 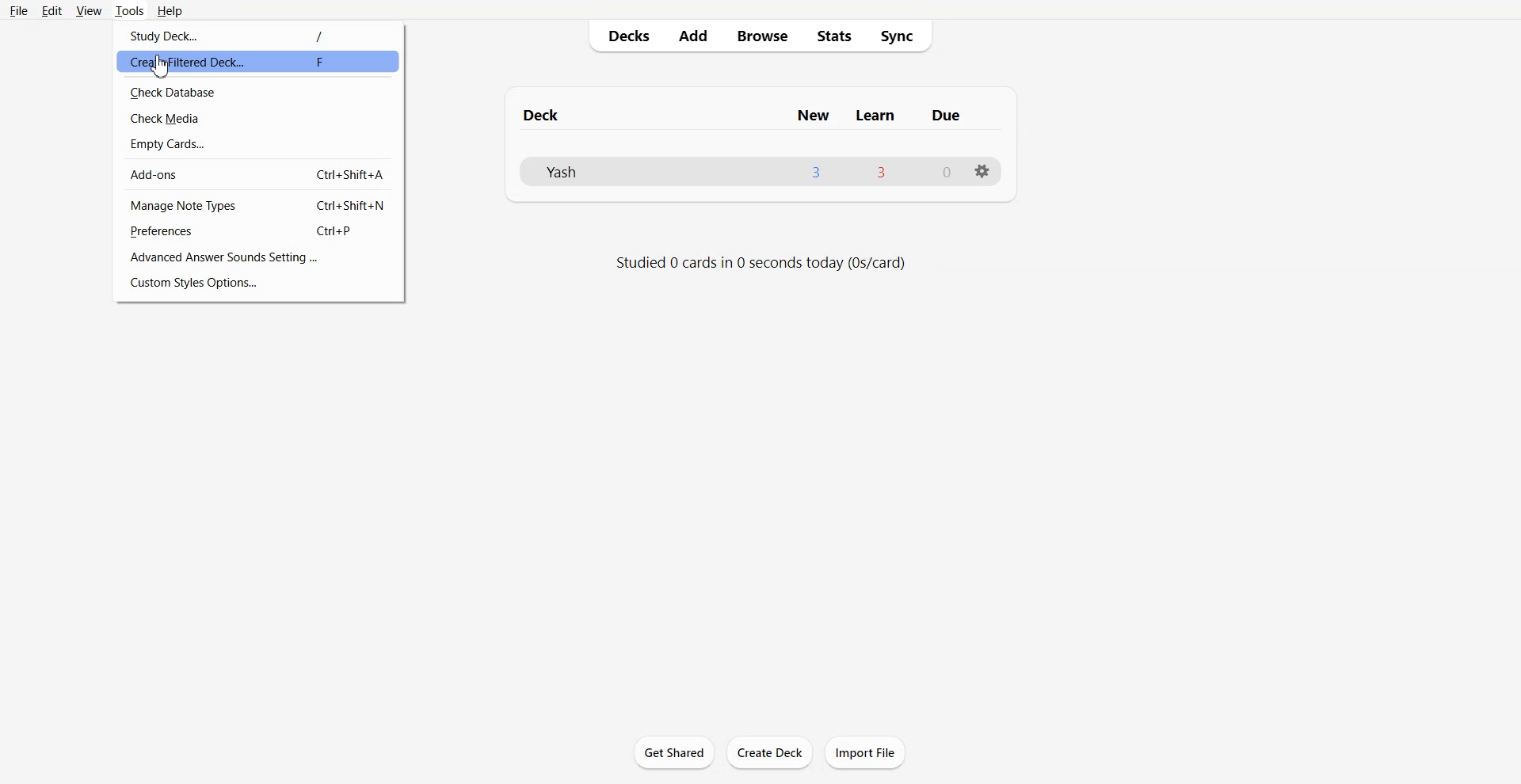 What do you see at coordinates (19, 11) in the screenshot?
I see `File` at bounding box center [19, 11].